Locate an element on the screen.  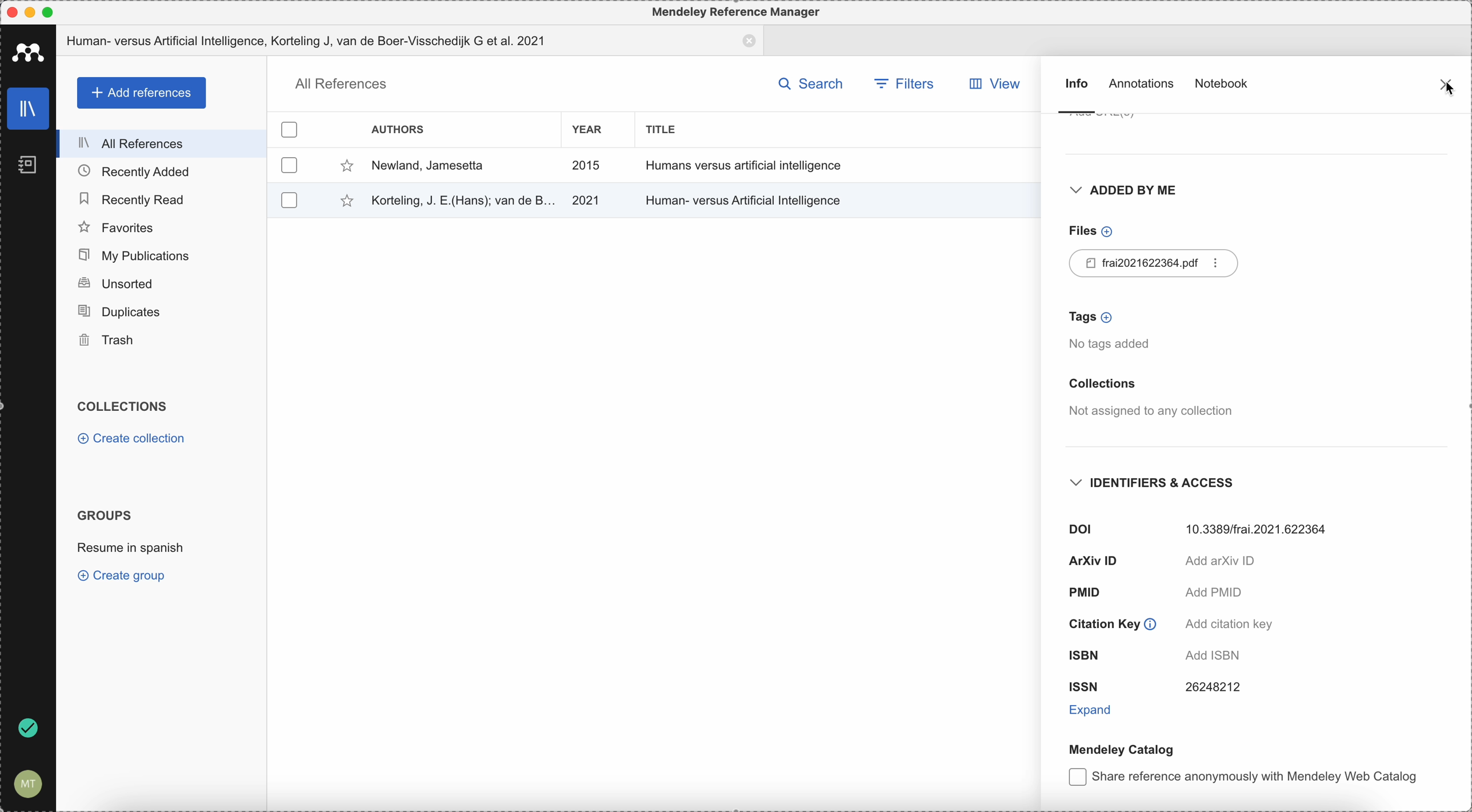
files is located at coordinates (1089, 231).